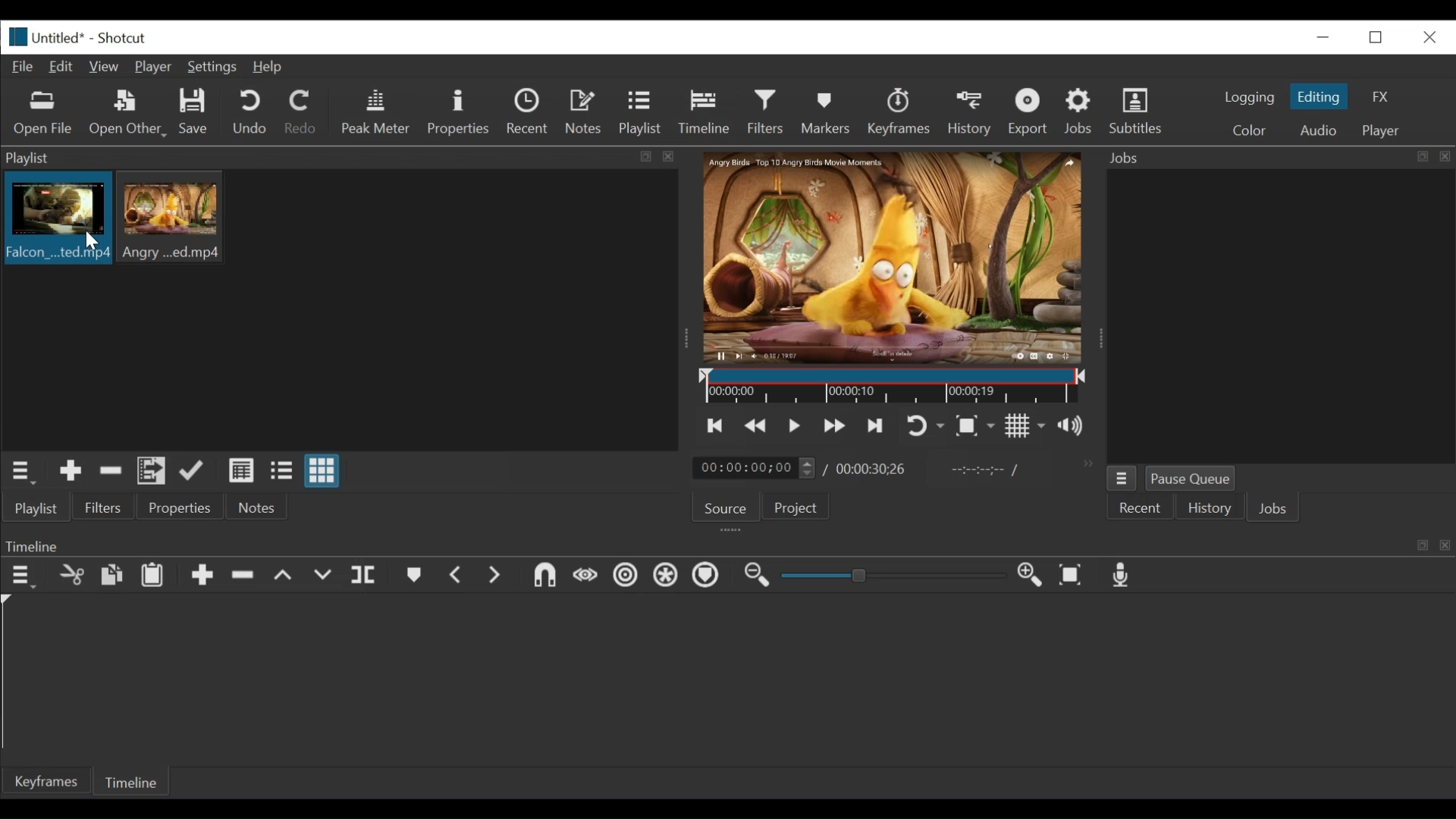 The image size is (1456, 819). What do you see at coordinates (195, 474) in the screenshot?
I see `update` at bounding box center [195, 474].